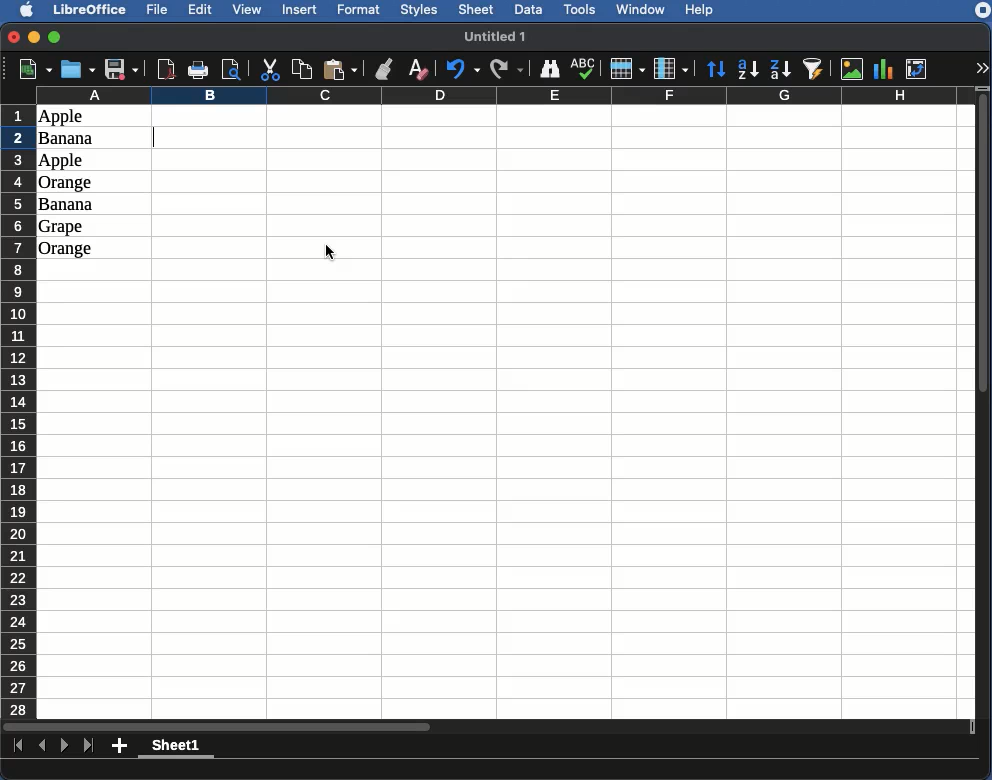 The height and width of the screenshot is (780, 992). What do you see at coordinates (201, 11) in the screenshot?
I see `Edit` at bounding box center [201, 11].